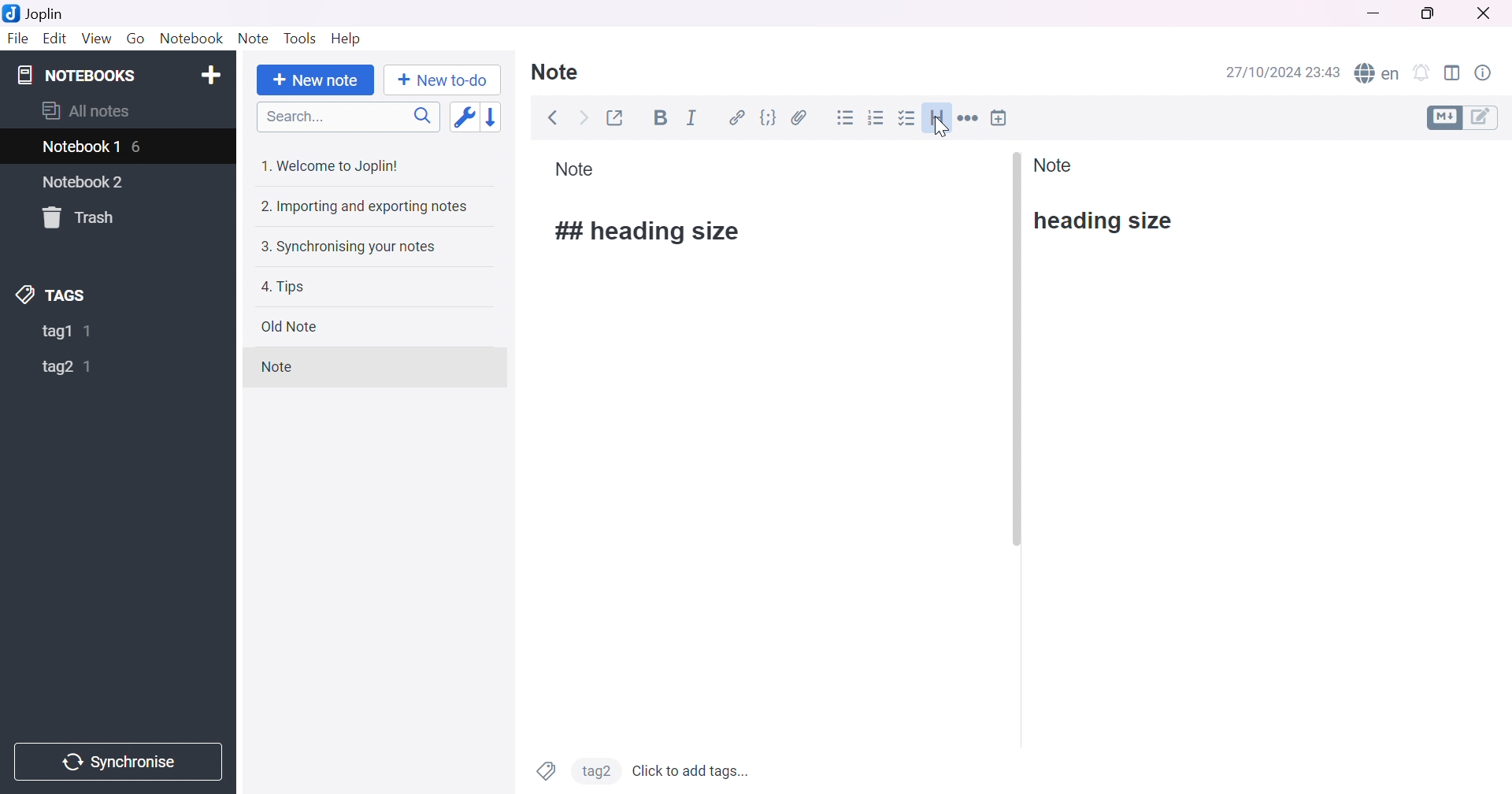 This screenshot has width=1512, height=794. Describe the element at coordinates (545, 771) in the screenshot. I see `Tags` at that location.